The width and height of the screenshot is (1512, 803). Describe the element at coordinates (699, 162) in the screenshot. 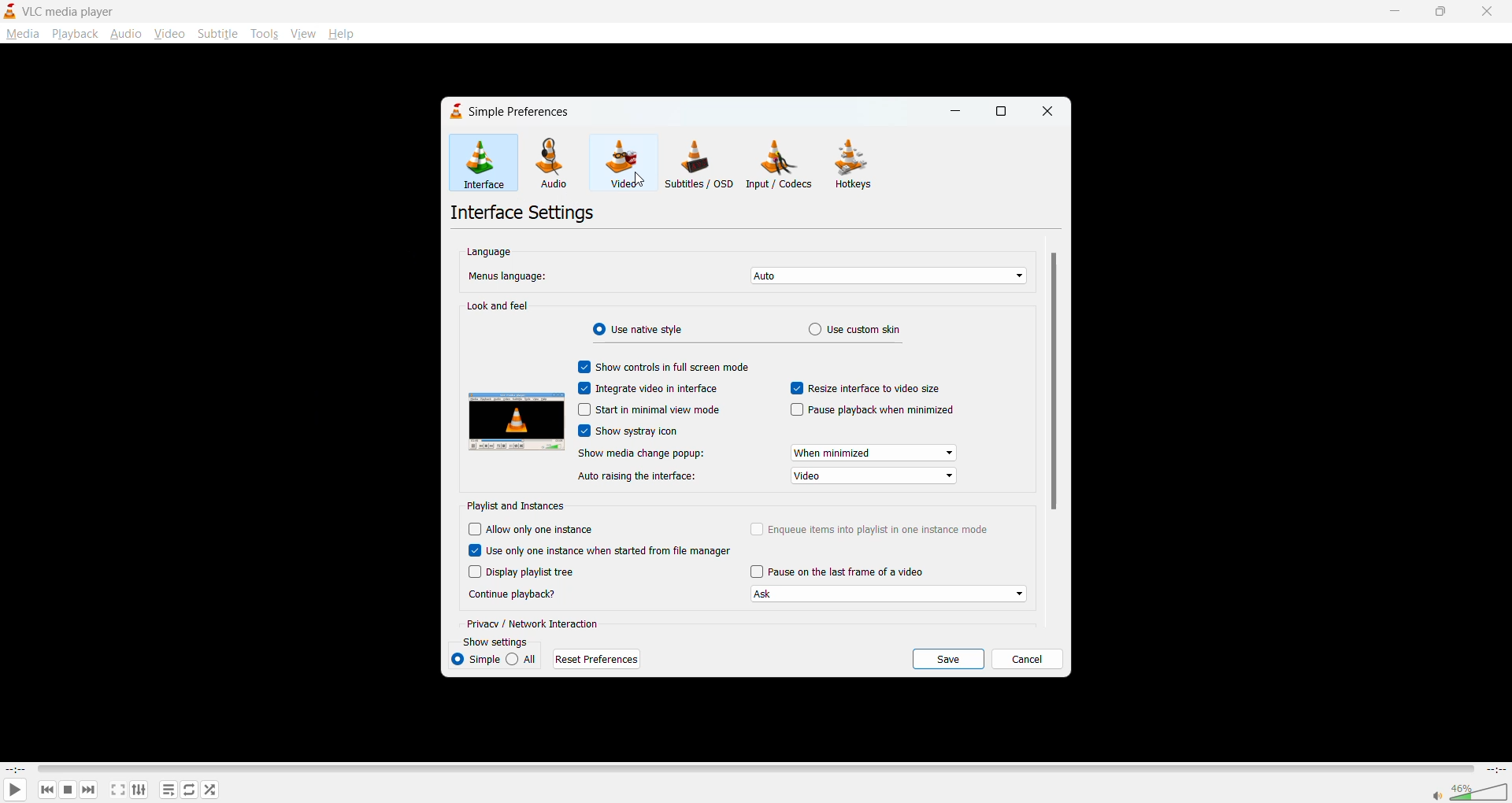

I see `subtitles/osd` at that location.